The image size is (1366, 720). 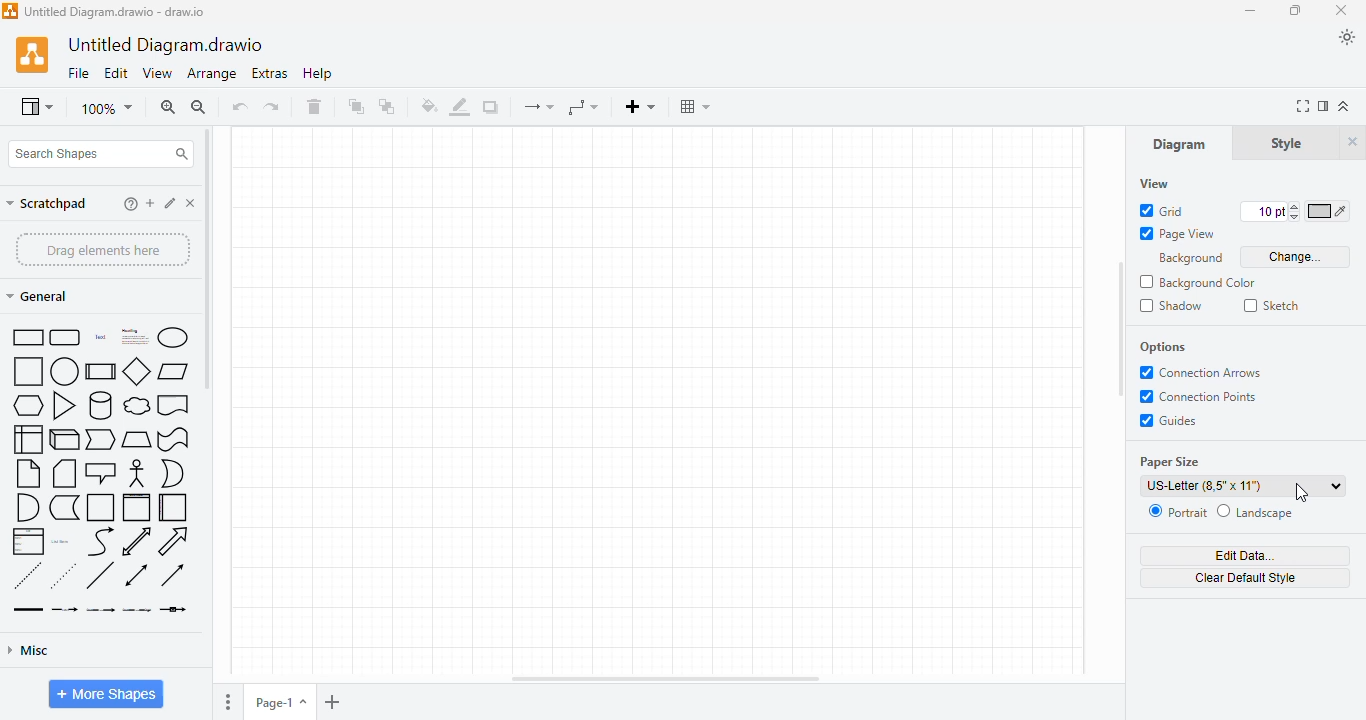 What do you see at coordinates (28, 473) in the screenshot?
I see `note` at bounding box center [28, 473].